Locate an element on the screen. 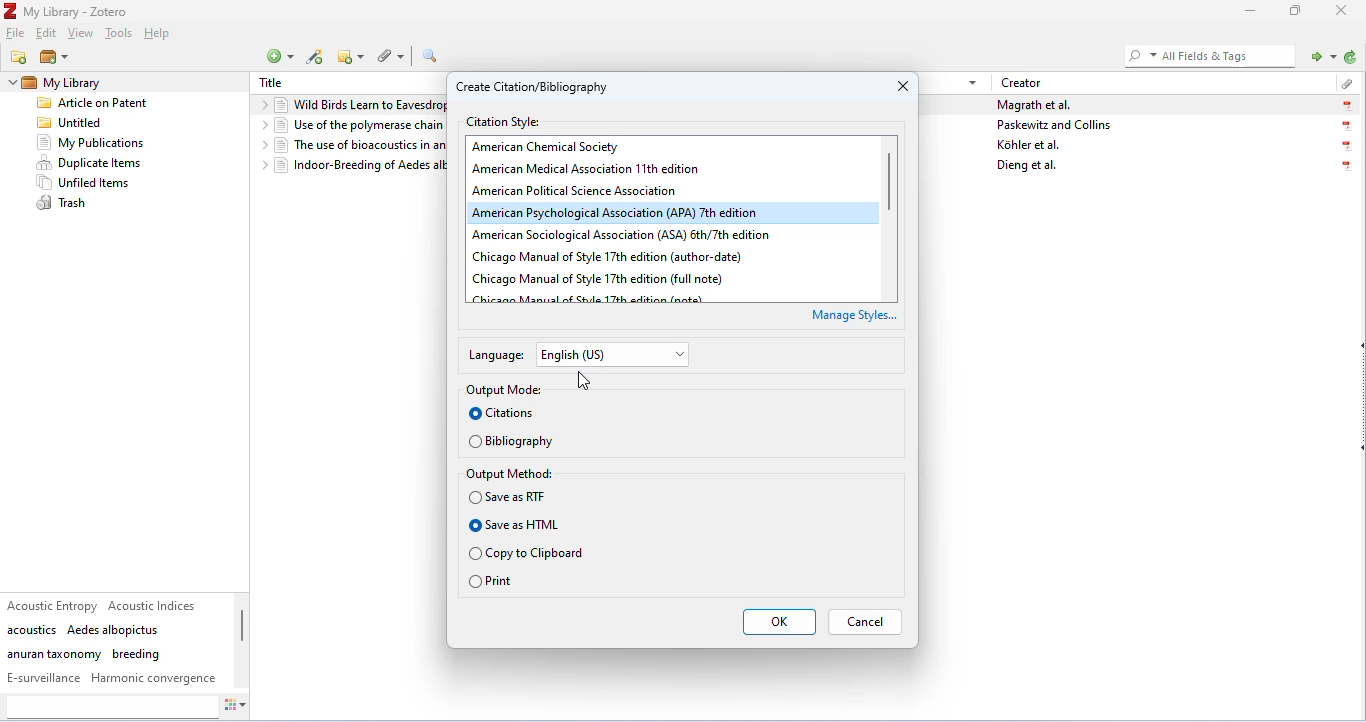 The width and height of the screenshot is (1366, 722). output mode is located at coordinates (505, 390).